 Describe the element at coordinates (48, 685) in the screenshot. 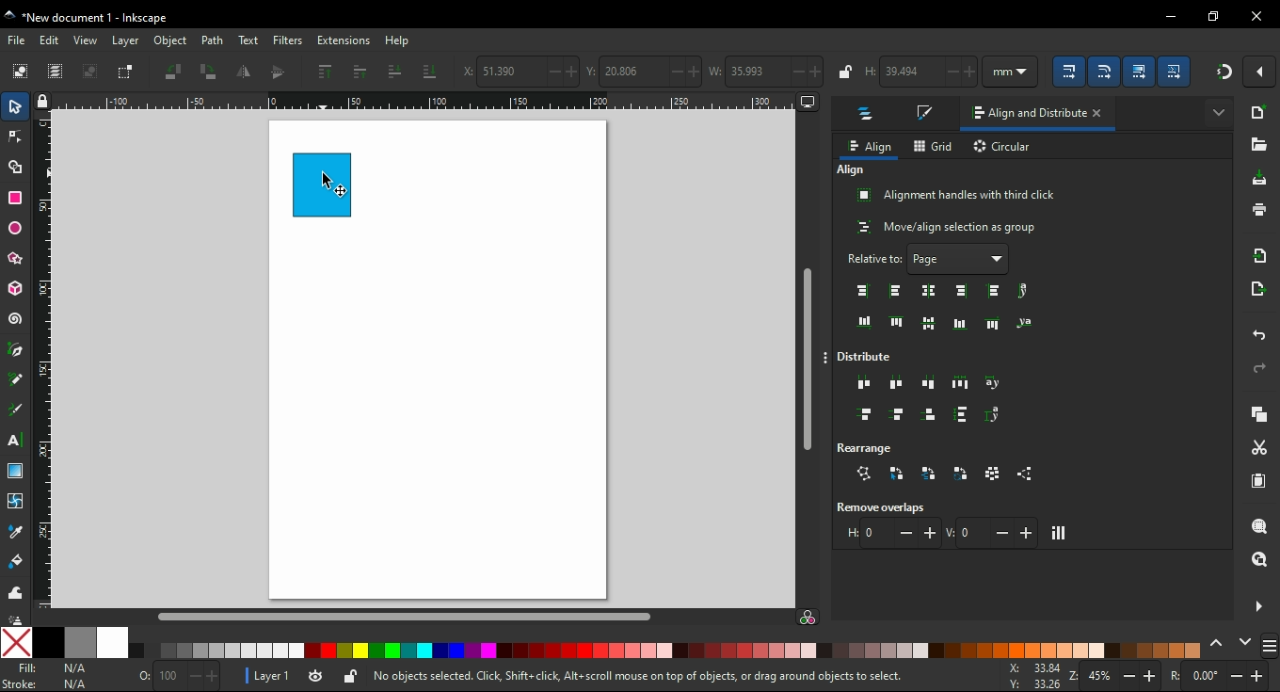

I see `stroke color` at that location.